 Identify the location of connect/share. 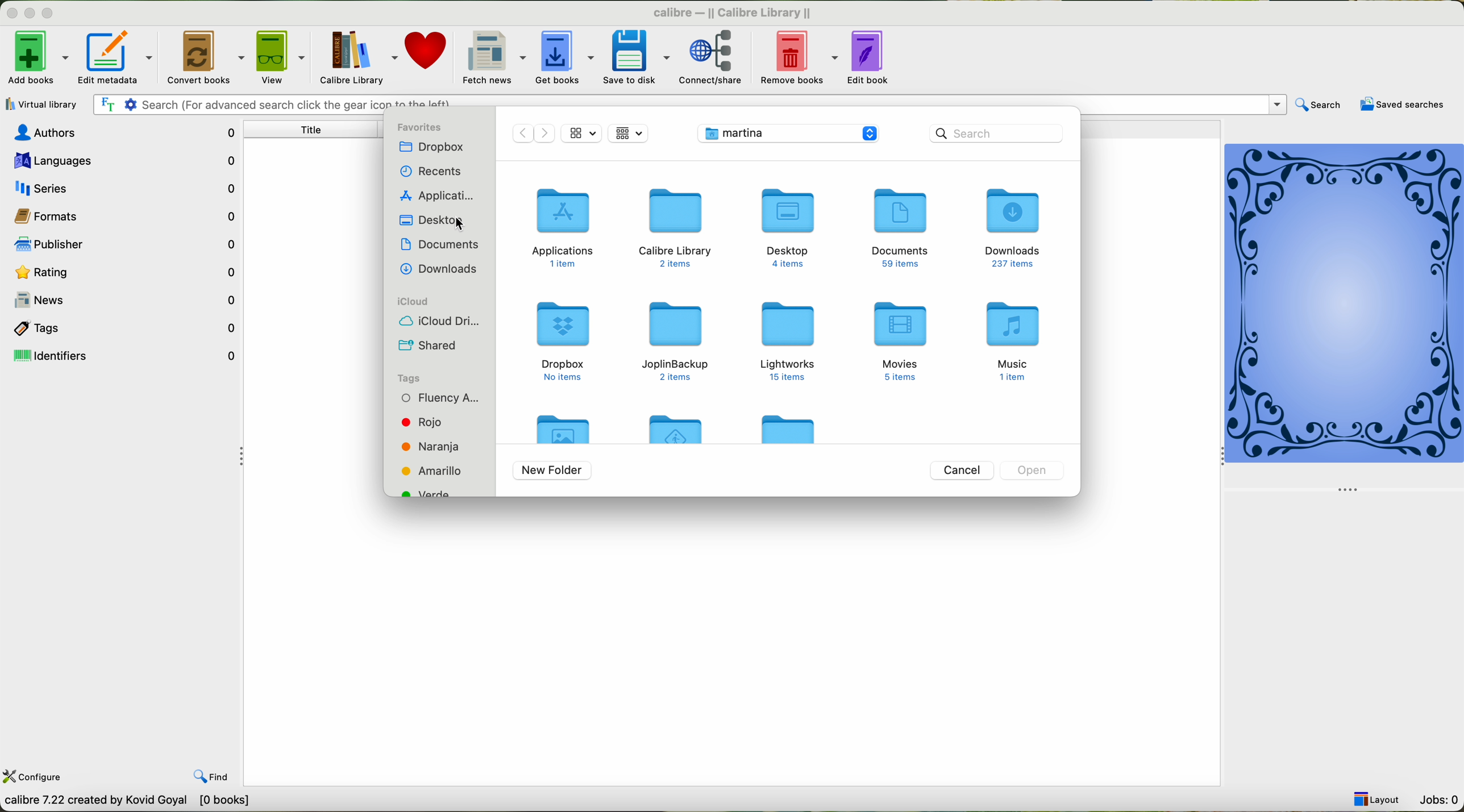
(716, 57).